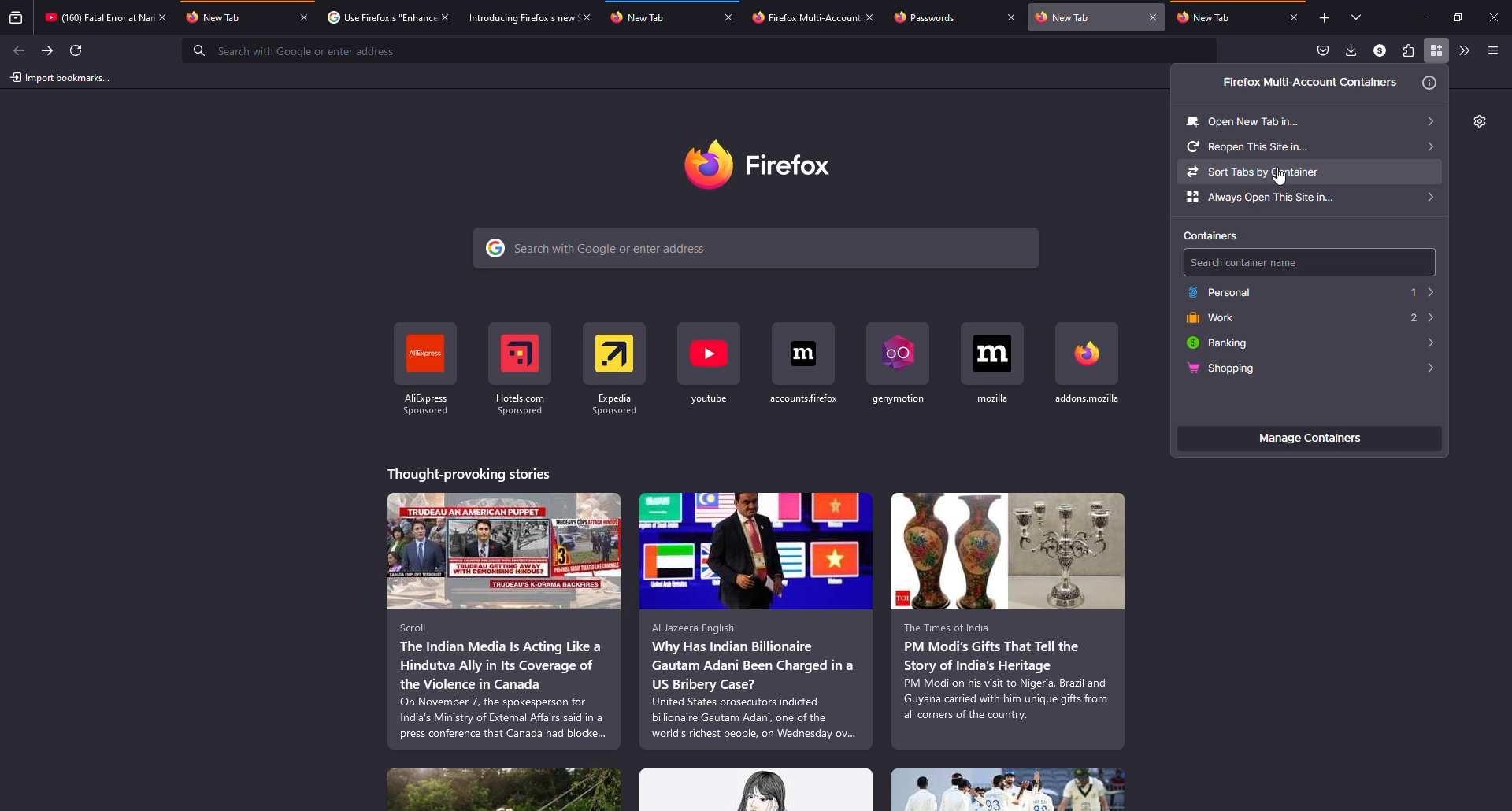 The height and width of the screenshot is (811, 1512). Describe the element at coordinates (1210, 317) in the screenshot. I see `work` at that location.